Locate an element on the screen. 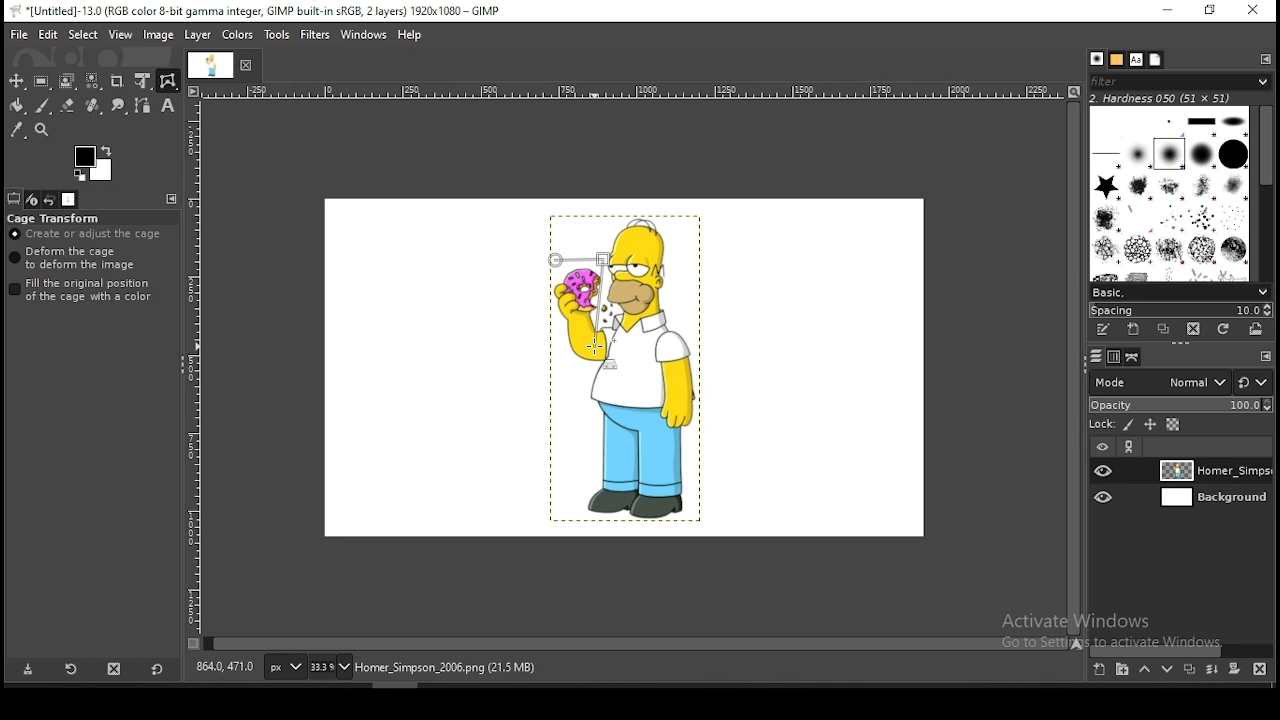 The width and height of the screenshot is (1280, 720). select by color tool is located at coordinates (93, 81).